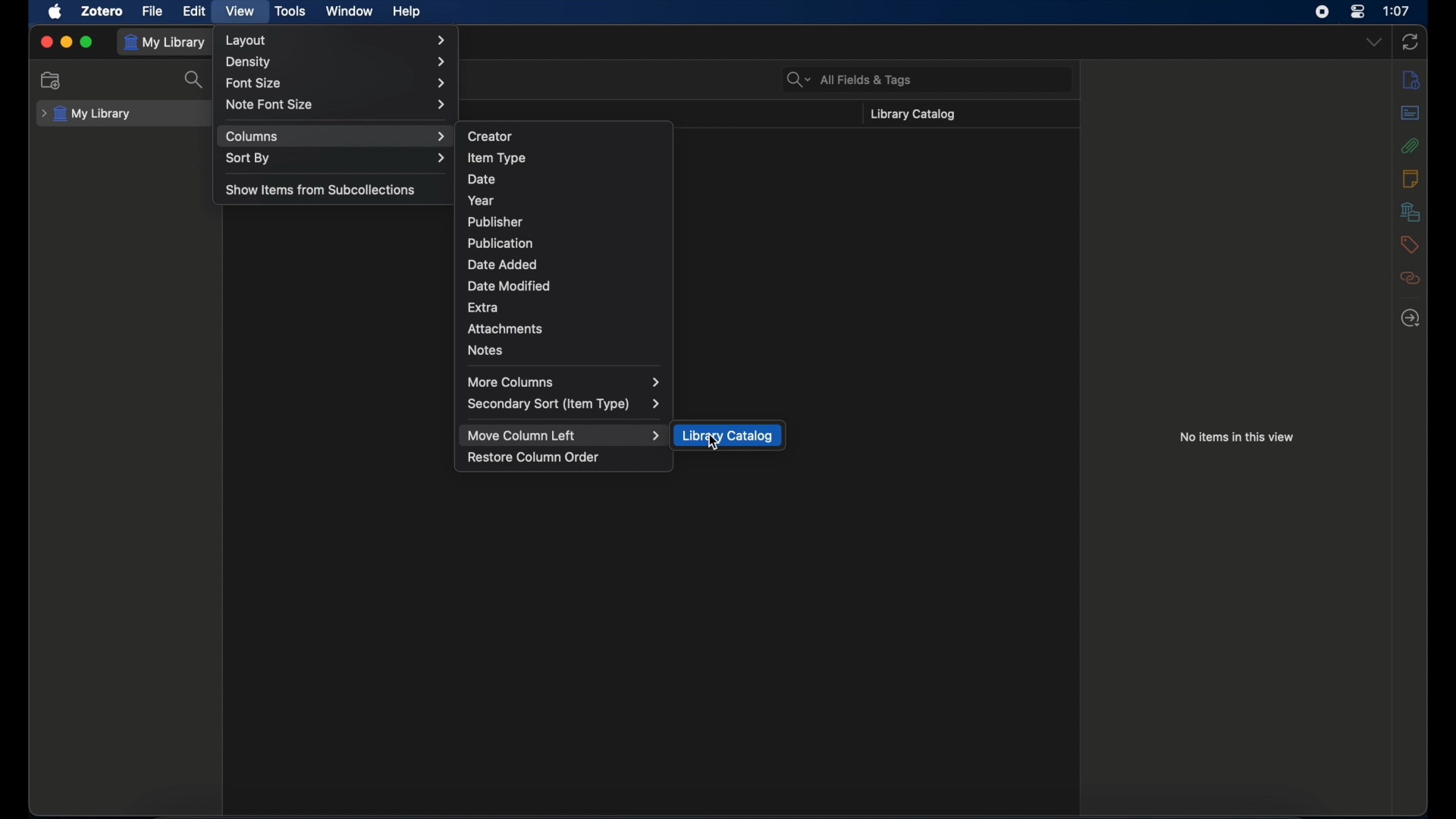 This screenshot has height=819, width=1456. I want to click on attachments, so click(1410, 146).